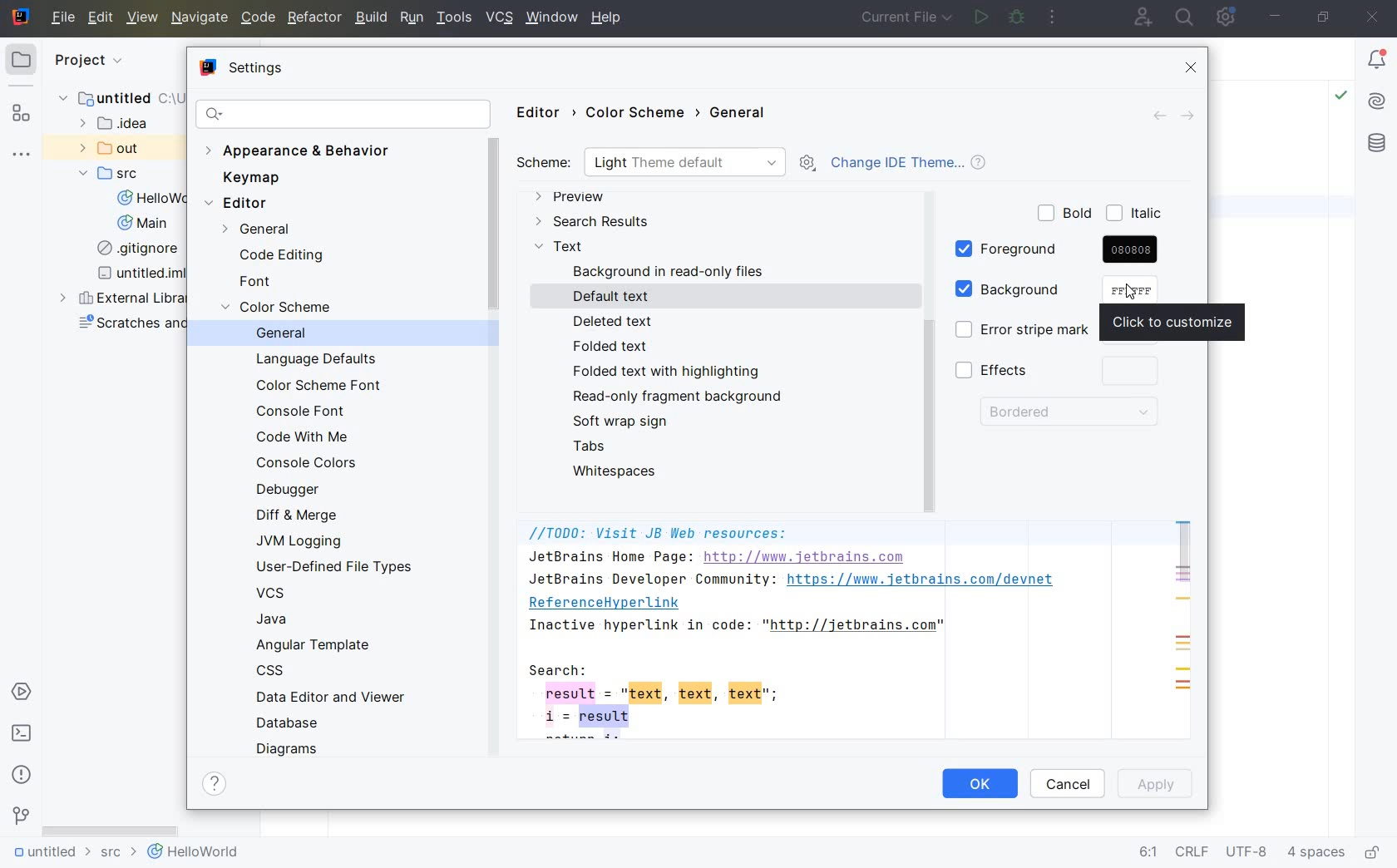  Describe the element at coordinates (343, 113) in the screenshot. I see `SEARCH SETTINGS` at that location.